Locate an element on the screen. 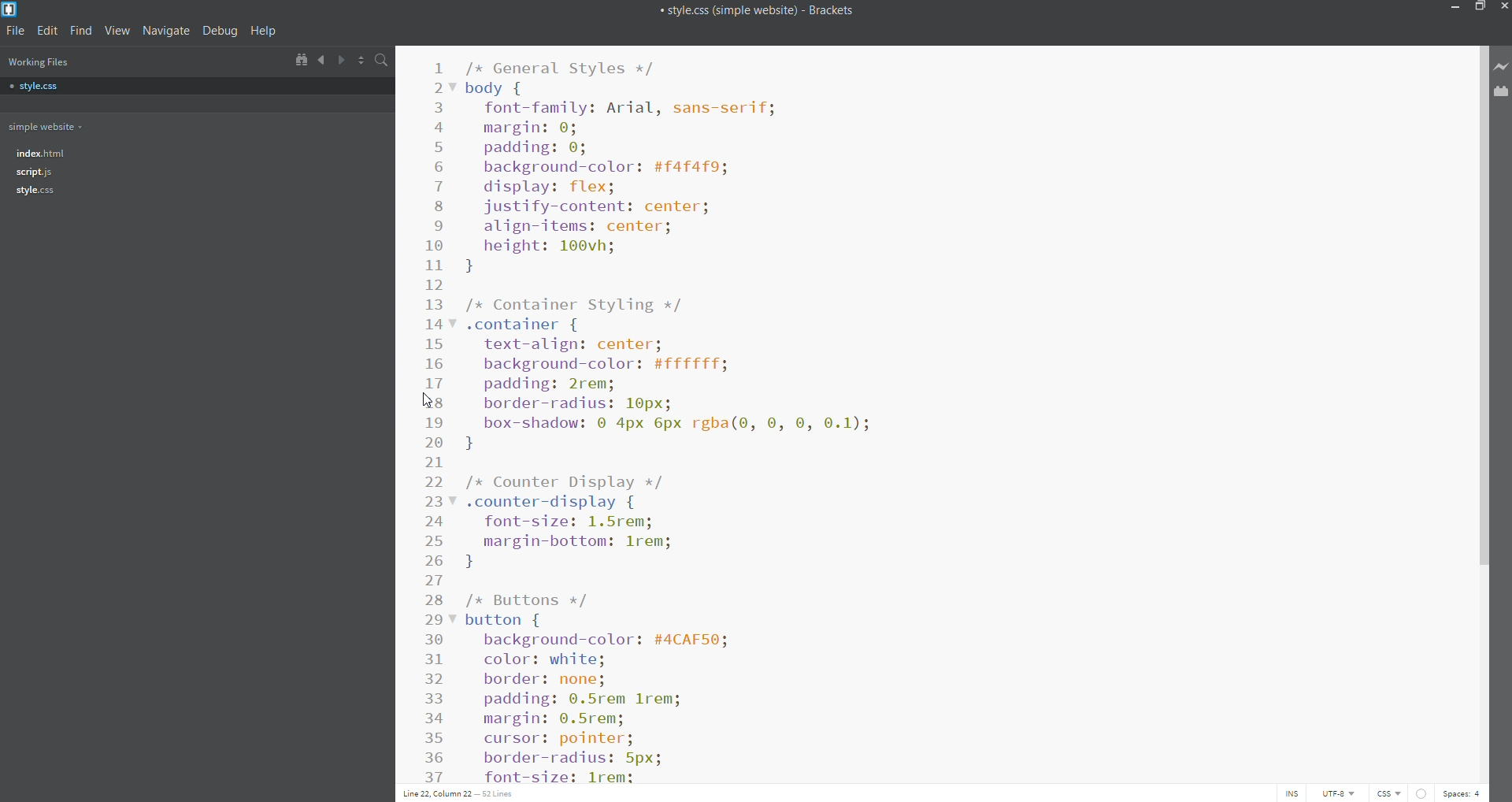 The height and width of the screenshot is (802, 1512). file type is located at coordinates (1391, 794).